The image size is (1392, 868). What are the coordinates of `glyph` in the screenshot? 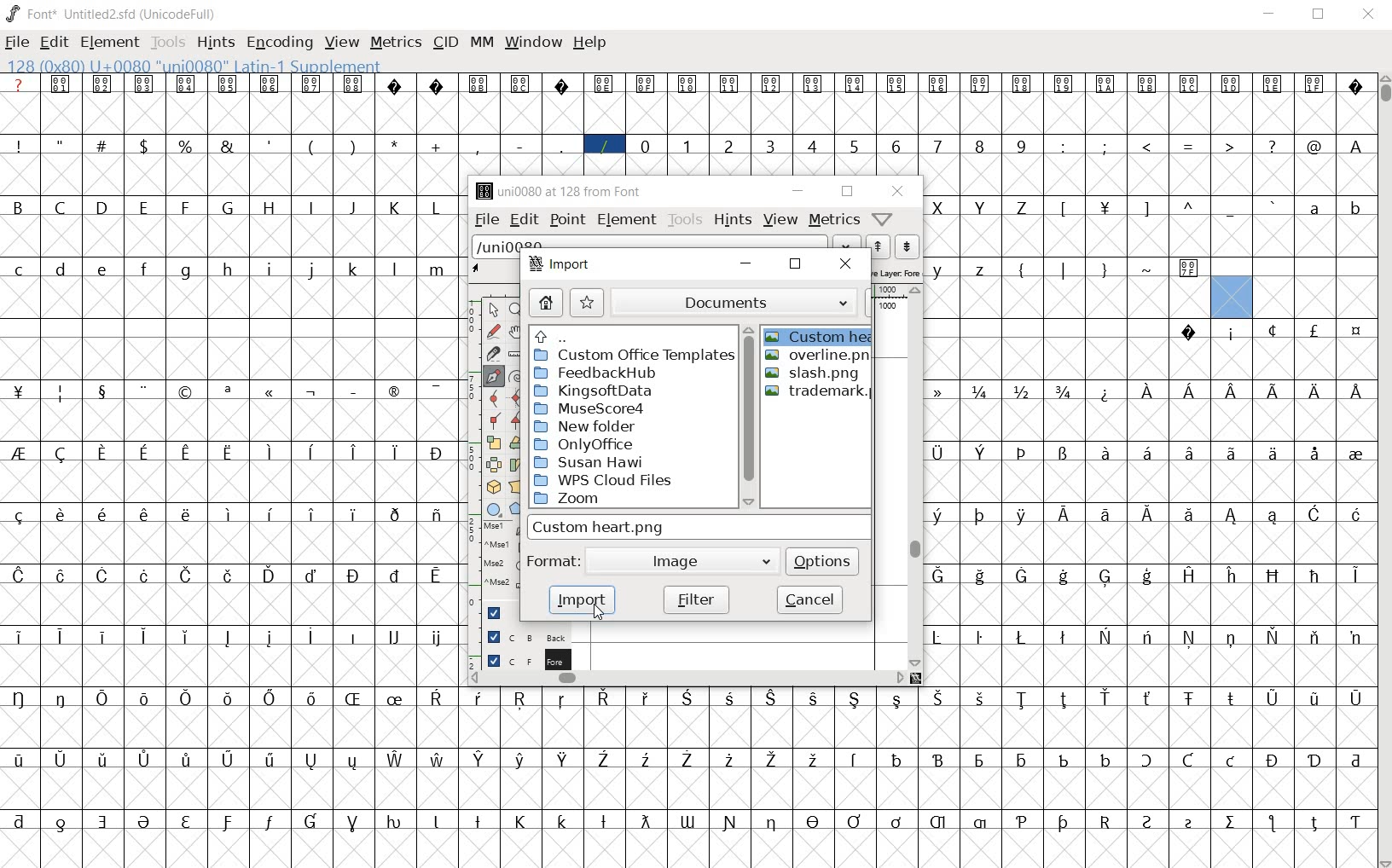 It's located at (645, 698).